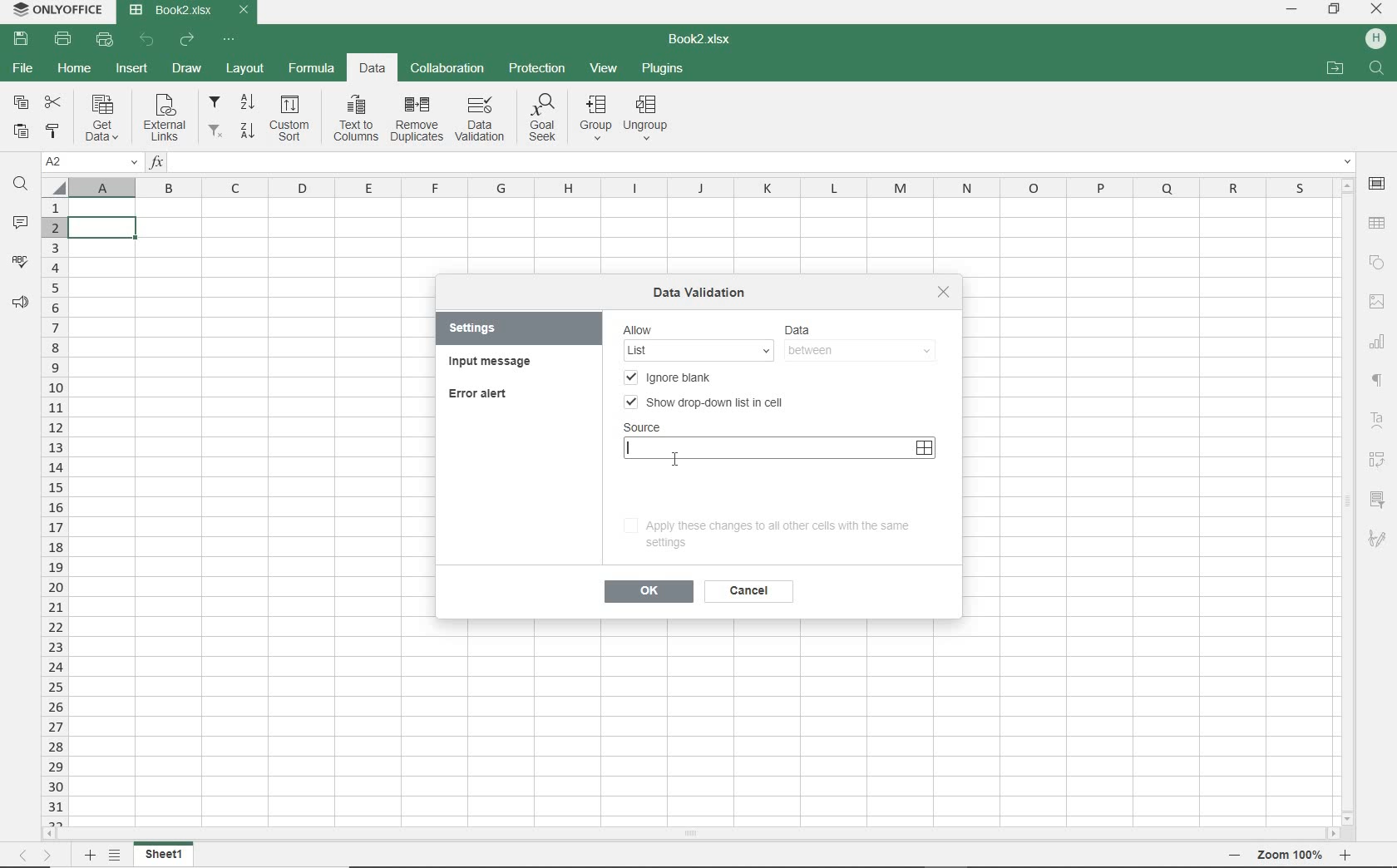 Image resolution: width=1397 pixels, height=868 pixels. I want to click on input message, so click(491, 362).